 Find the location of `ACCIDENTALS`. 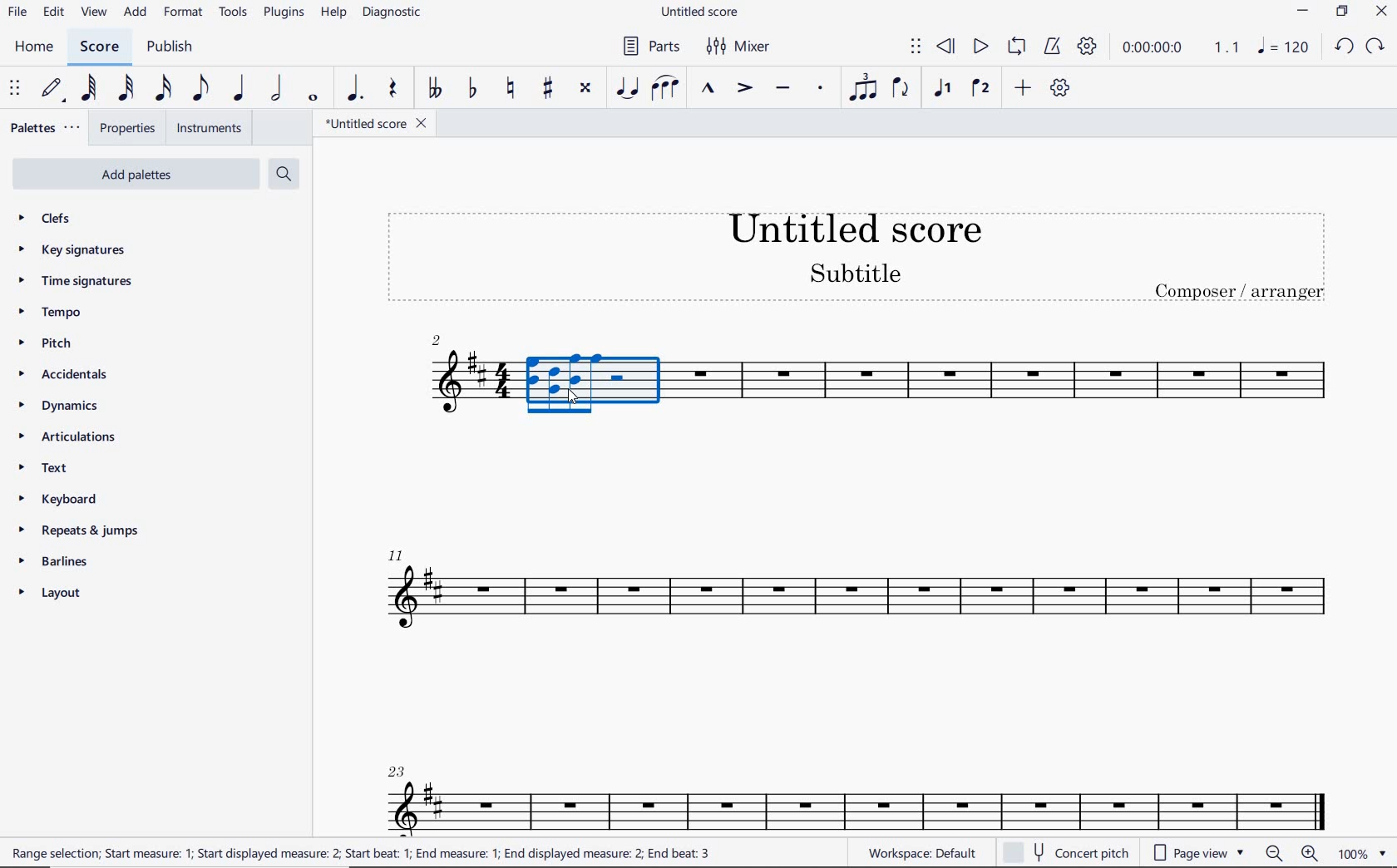

ACCIDENTALS is located at coordinates (71, 374).